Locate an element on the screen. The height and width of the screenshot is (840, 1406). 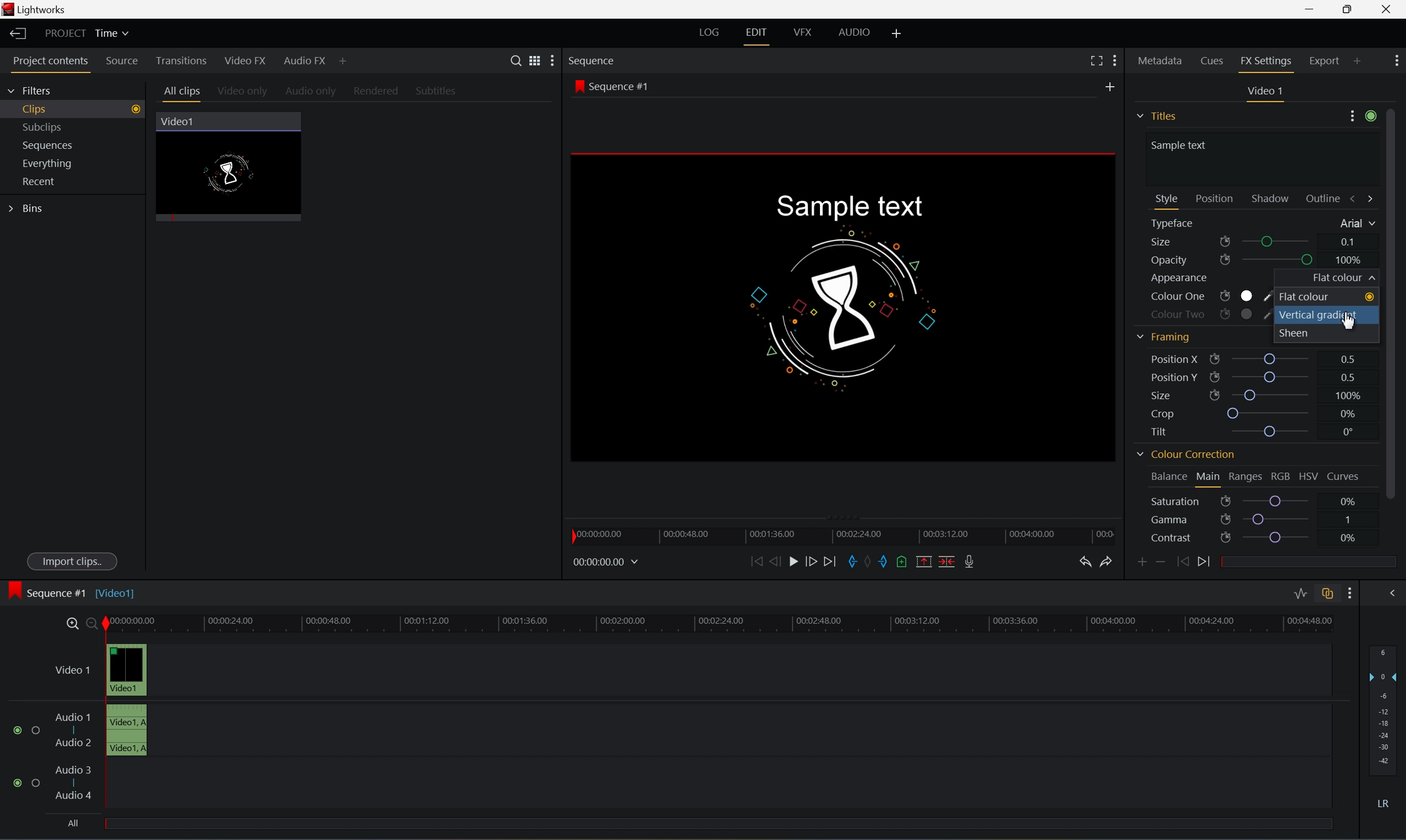
position x is located at coordinates (1186, 359).